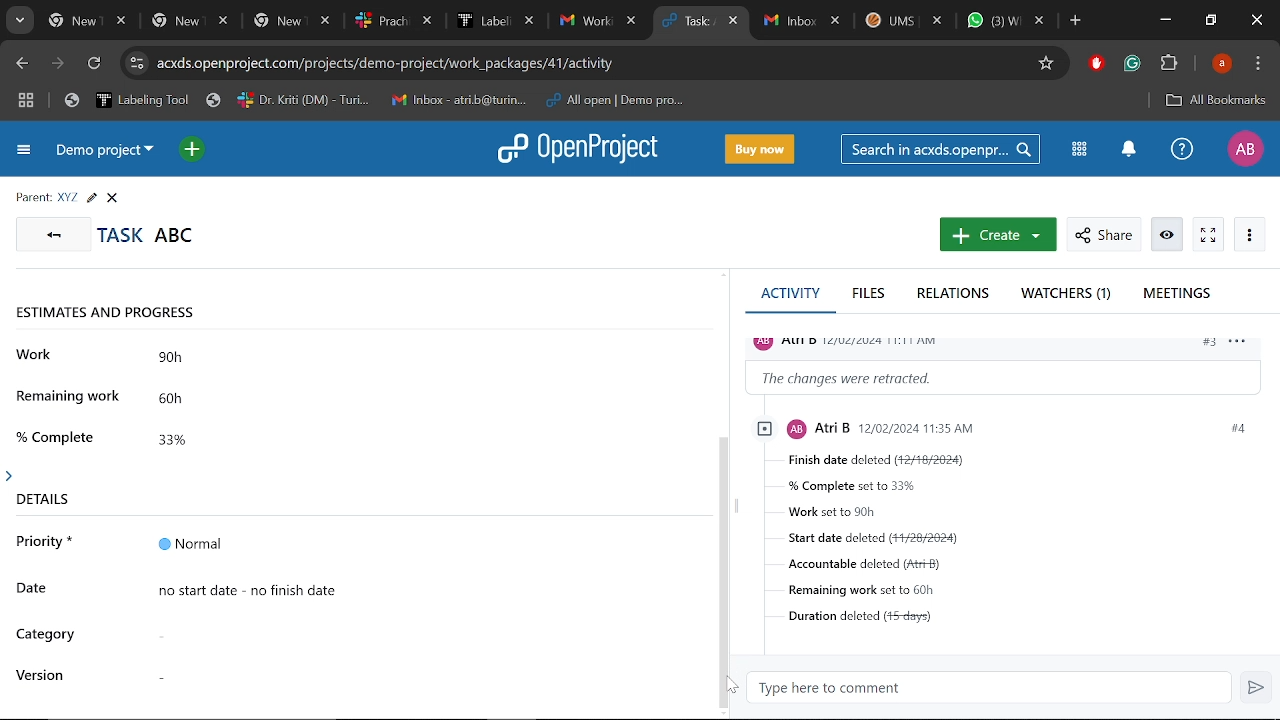 This screenshot has width=1280, height=720. What do you see at coordinates (1103, 235) in the screenshot?
I see `Share` at bounding box center [1103, 235].